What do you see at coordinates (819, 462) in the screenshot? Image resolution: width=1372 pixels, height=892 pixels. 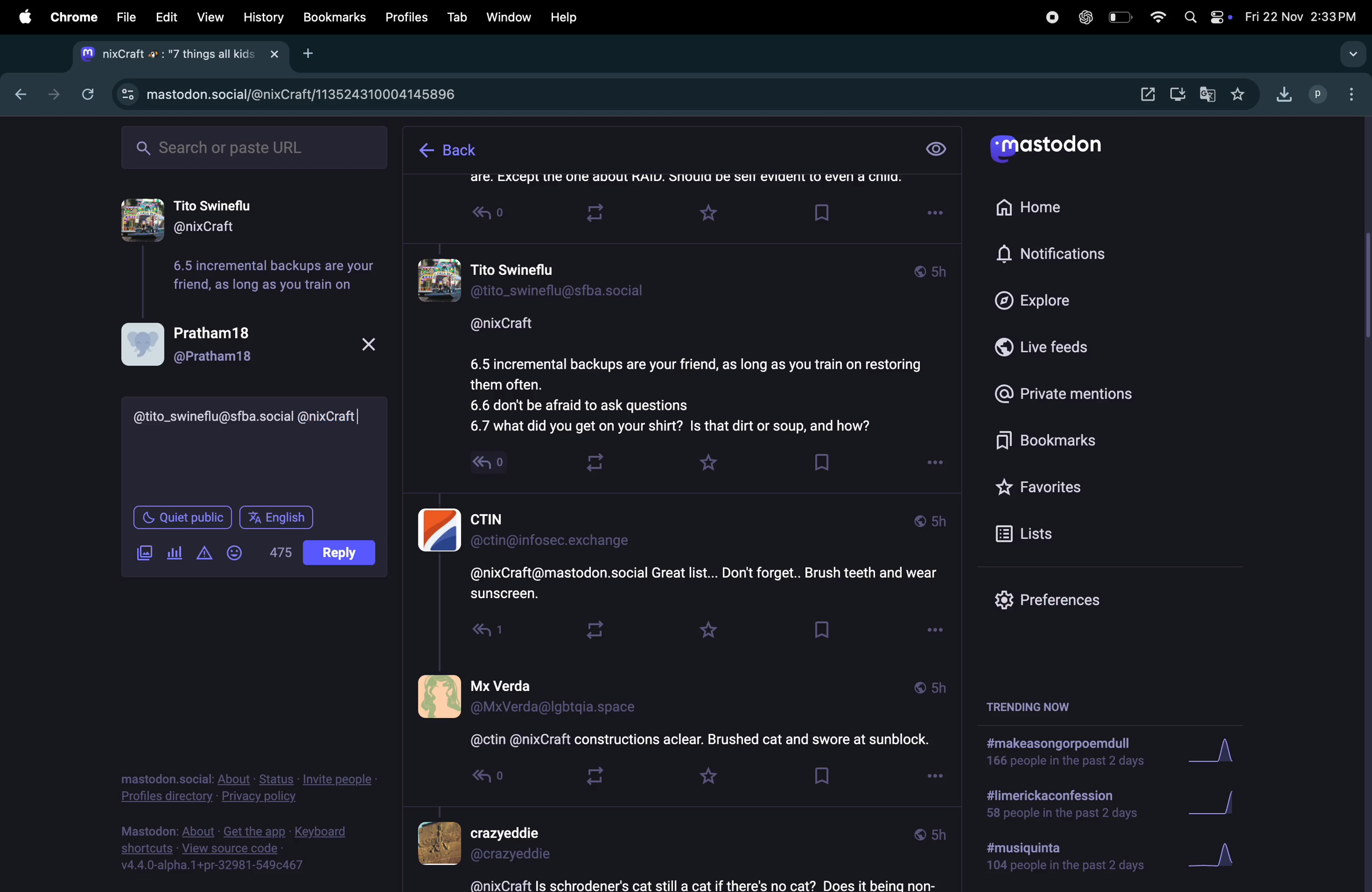 I see `book mark` at bounding box center [819, 462].